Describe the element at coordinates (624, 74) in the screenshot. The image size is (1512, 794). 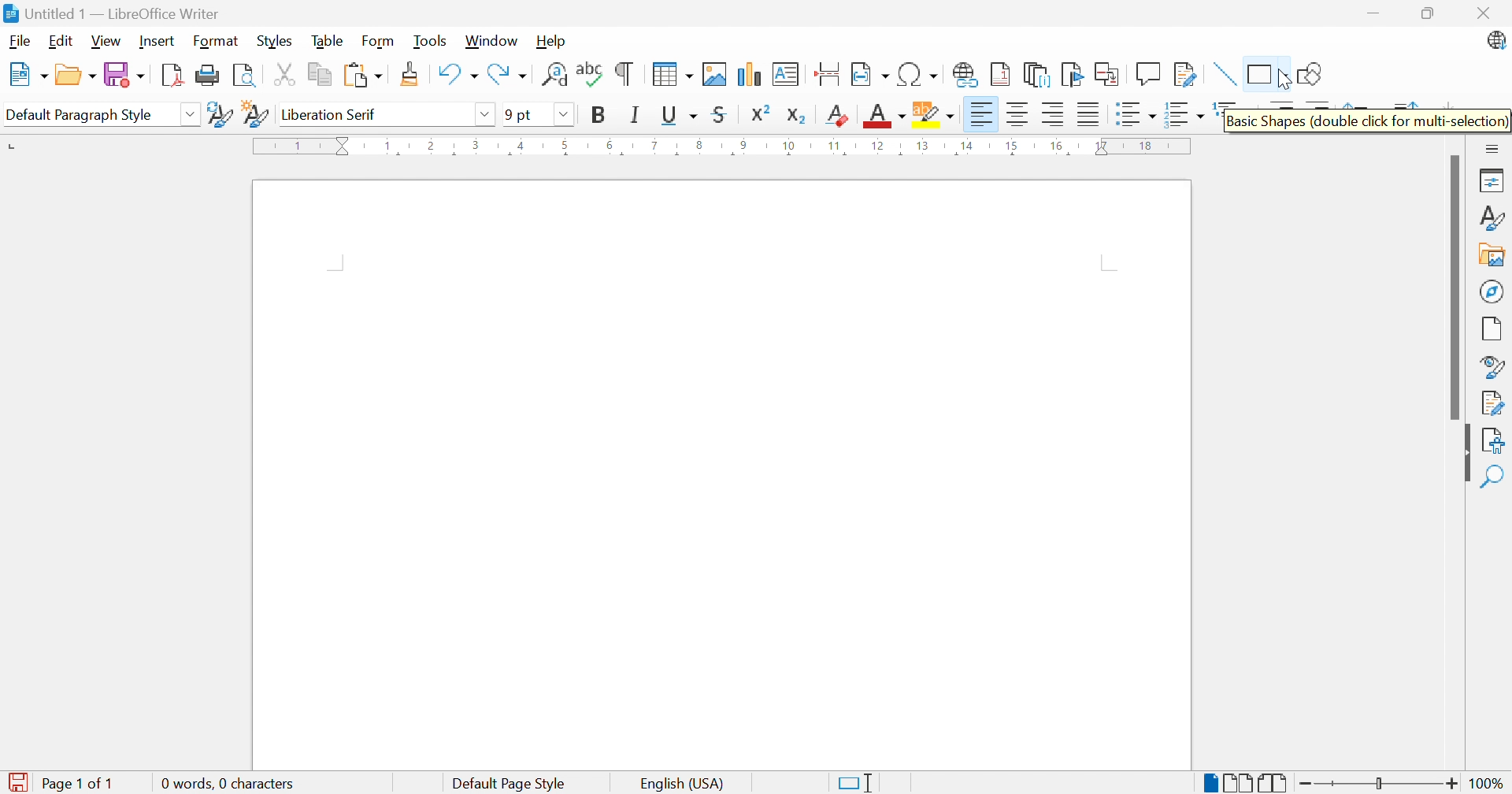
I see `Toggle formatting marks` at that location.